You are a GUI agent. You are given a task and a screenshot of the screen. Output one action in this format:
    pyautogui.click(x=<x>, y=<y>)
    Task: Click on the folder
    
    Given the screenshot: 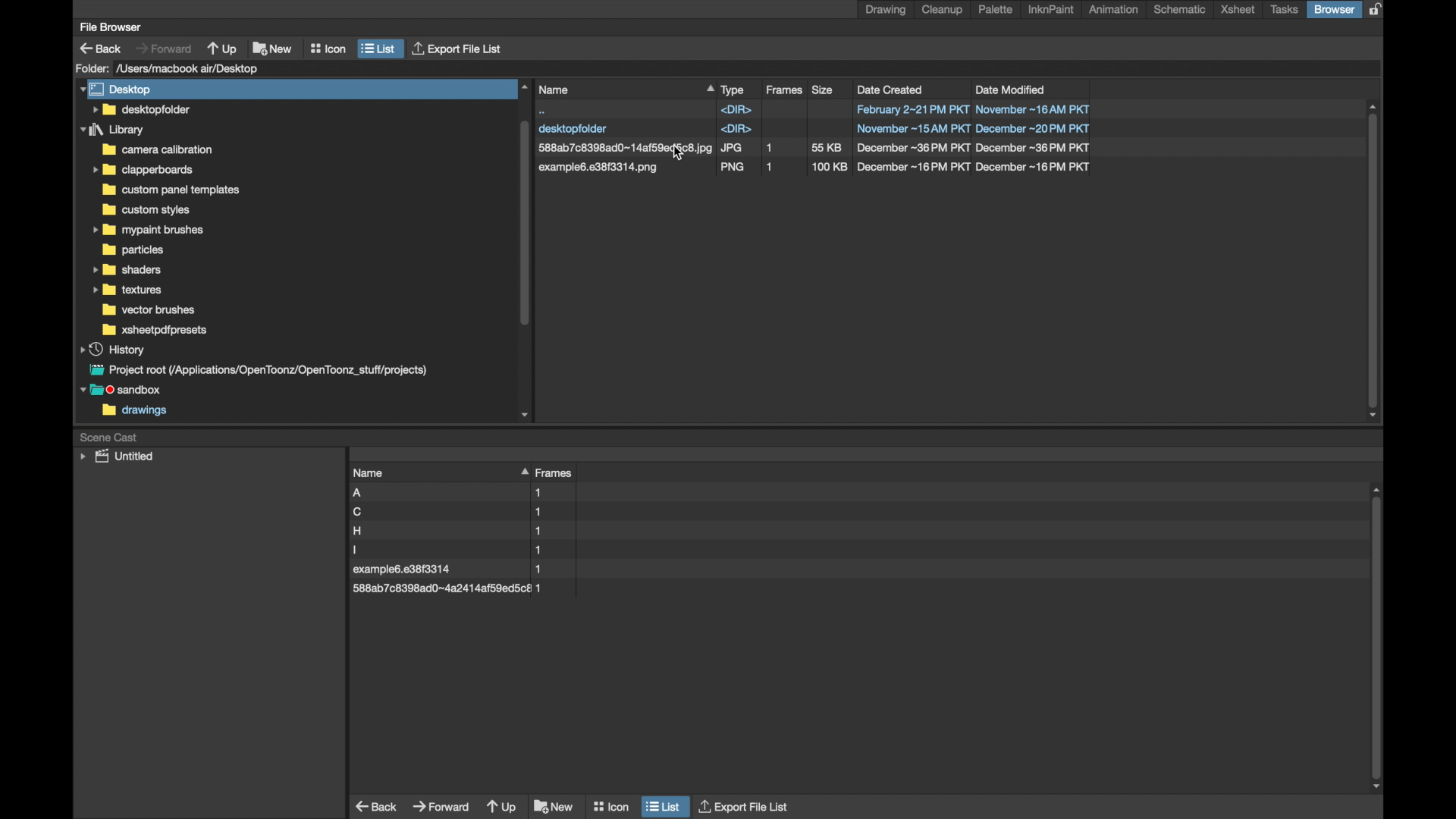 What is the action you would take?
    pyautogui.click(x=140, y=109)
    